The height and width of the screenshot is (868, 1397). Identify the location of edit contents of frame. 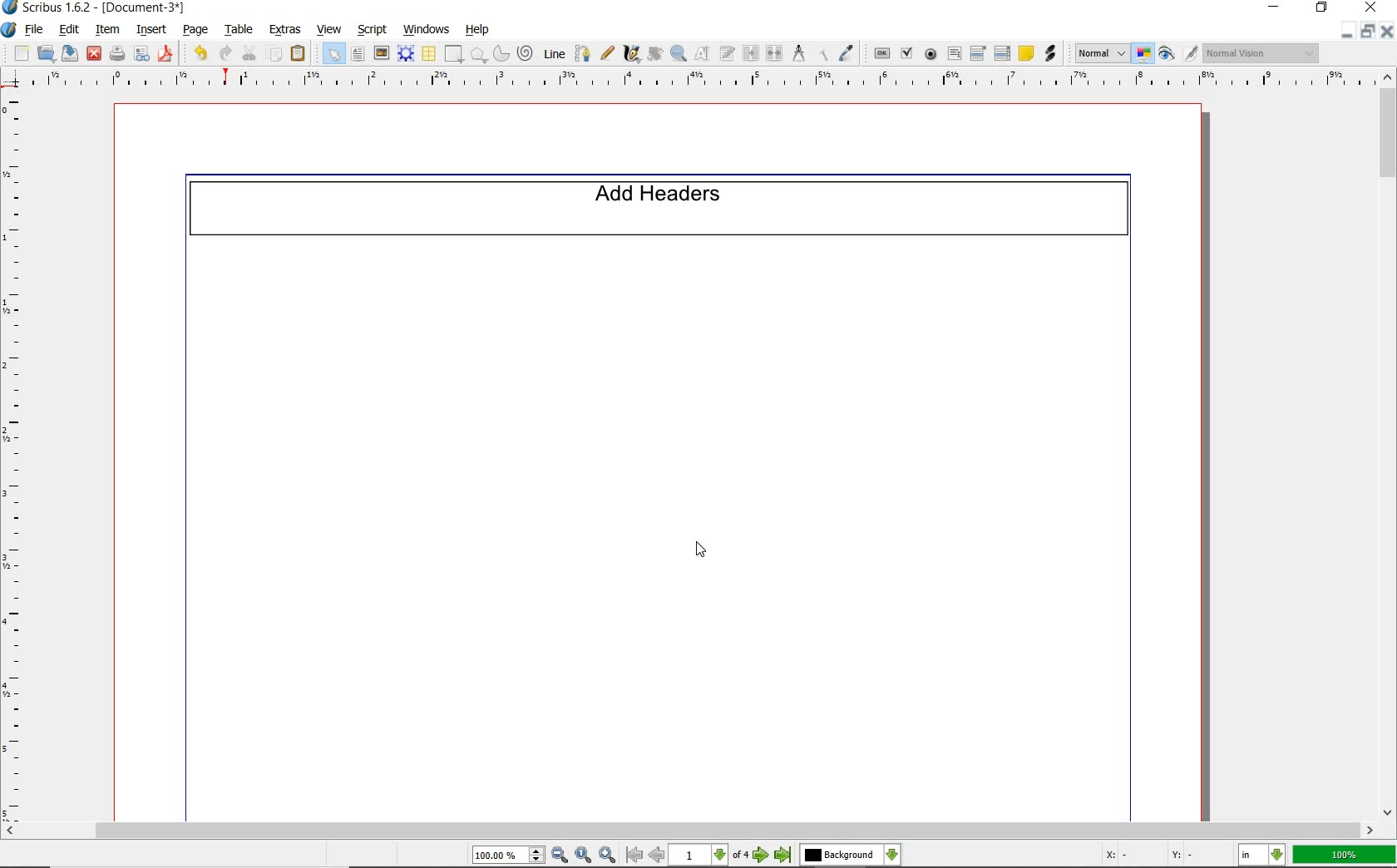
(702, 54).